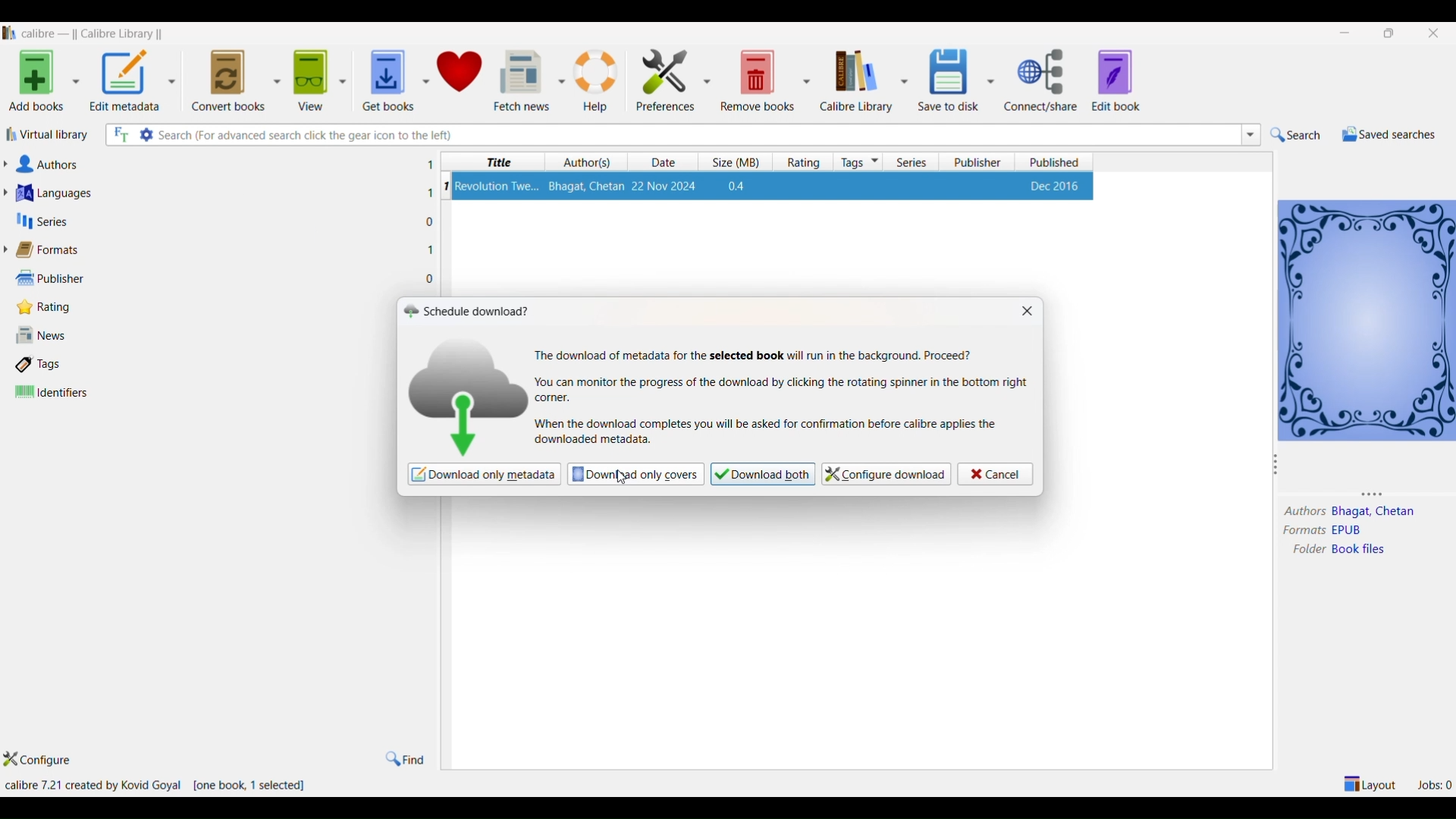 Image resolution: width=1456 pixels, height=819 pixels. What do you see at coordinates (1371, 783) in the screenshot?
I see `layout` at bounding box center [1371, 783].